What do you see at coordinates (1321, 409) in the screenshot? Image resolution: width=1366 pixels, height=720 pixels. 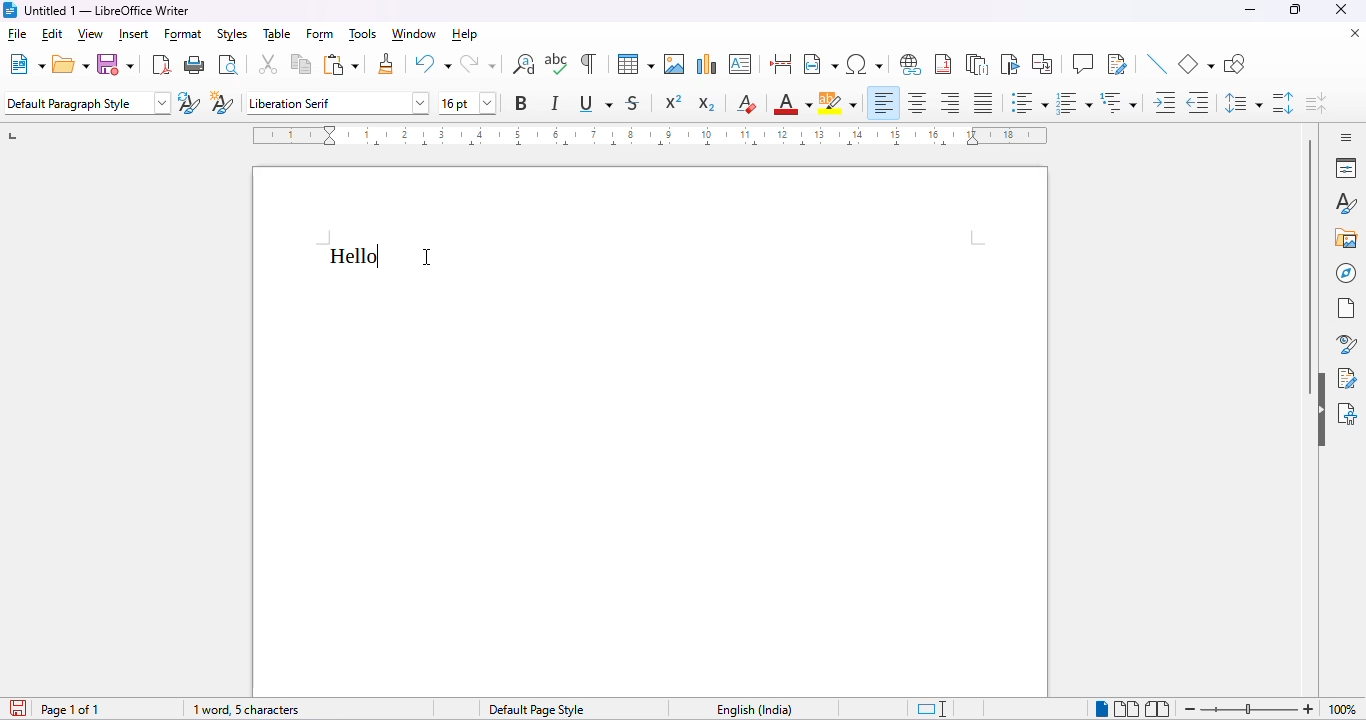 I see `hide` at bounding box center [1321, 409].